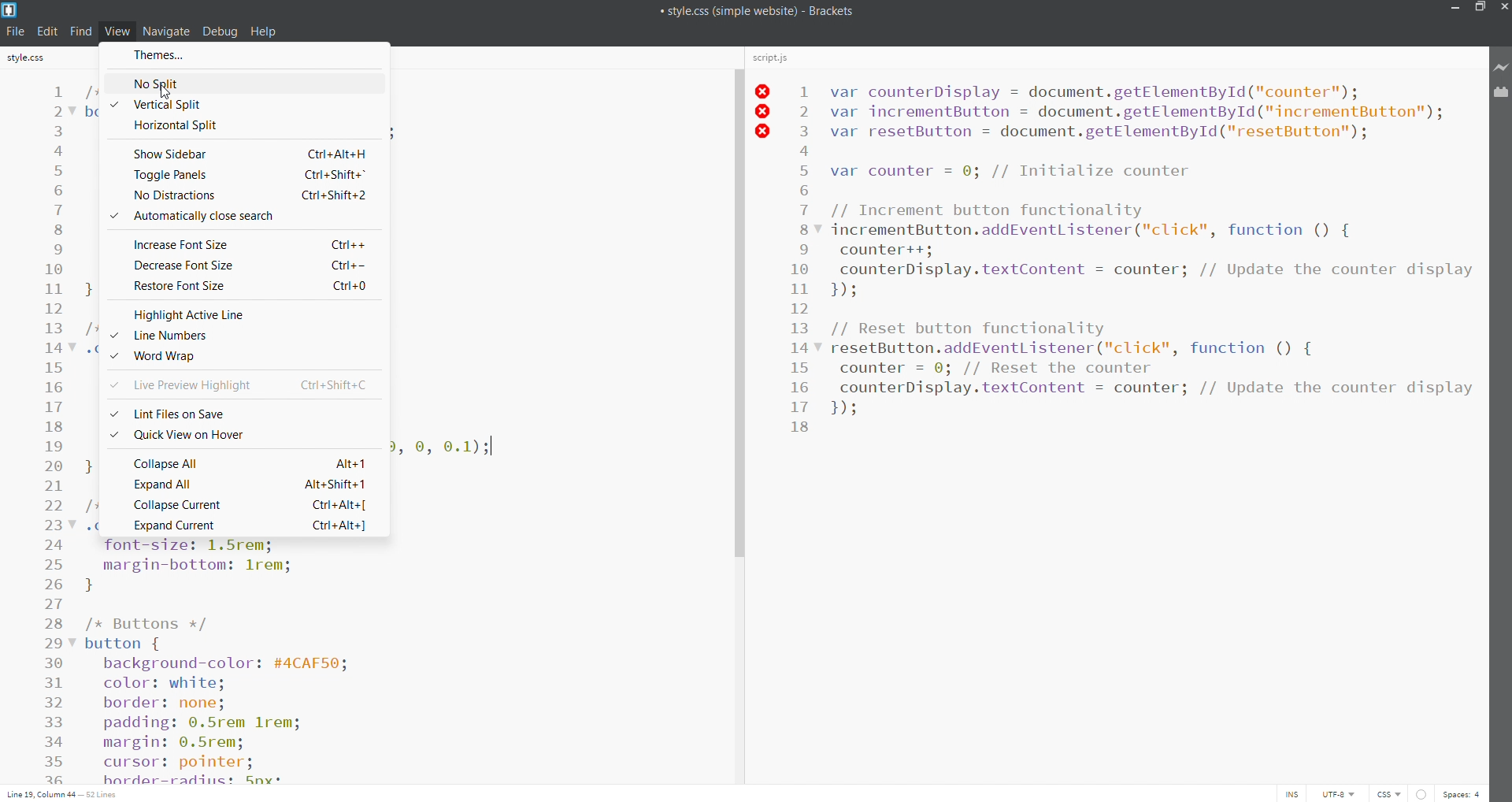 The width and height of the screenshot is (1512, 802). What do you see at coordinates (250, 660) in the screenshot?
I see `Code` at bounding box center [250, 660].